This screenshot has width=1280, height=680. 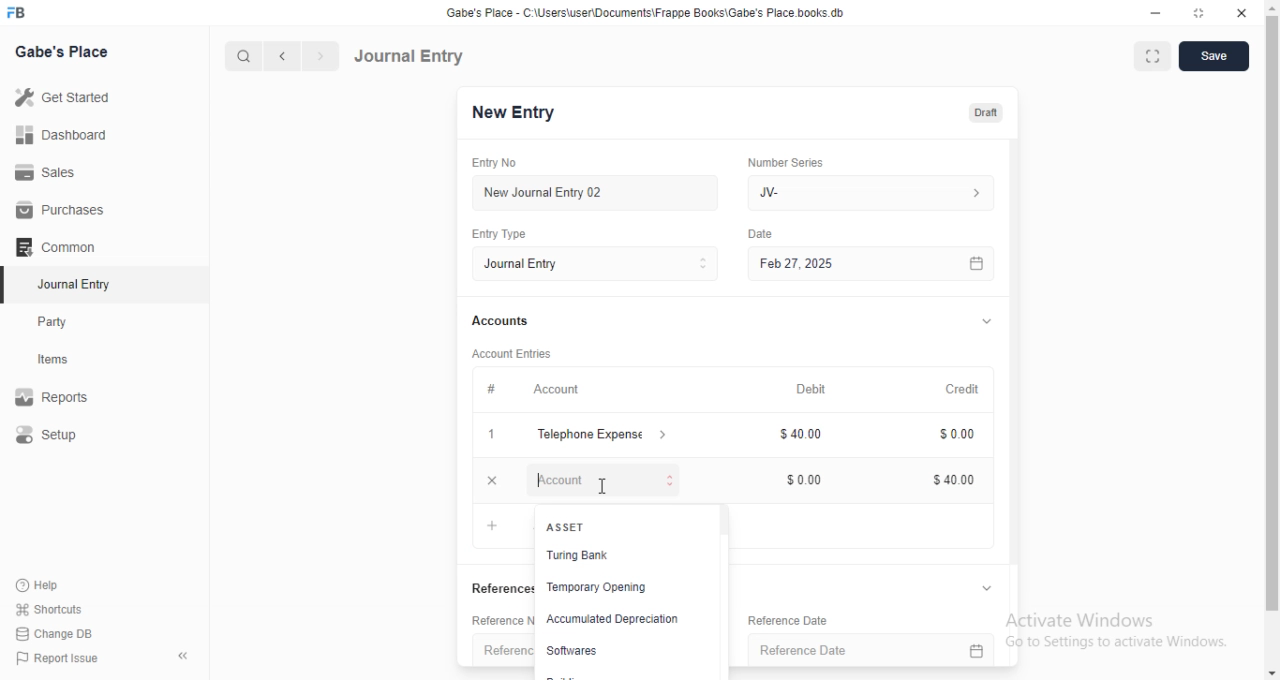 What do you see at coordinates (995, 320) in the screenshot?
I see `Hide` at bounding box center [995, 320].